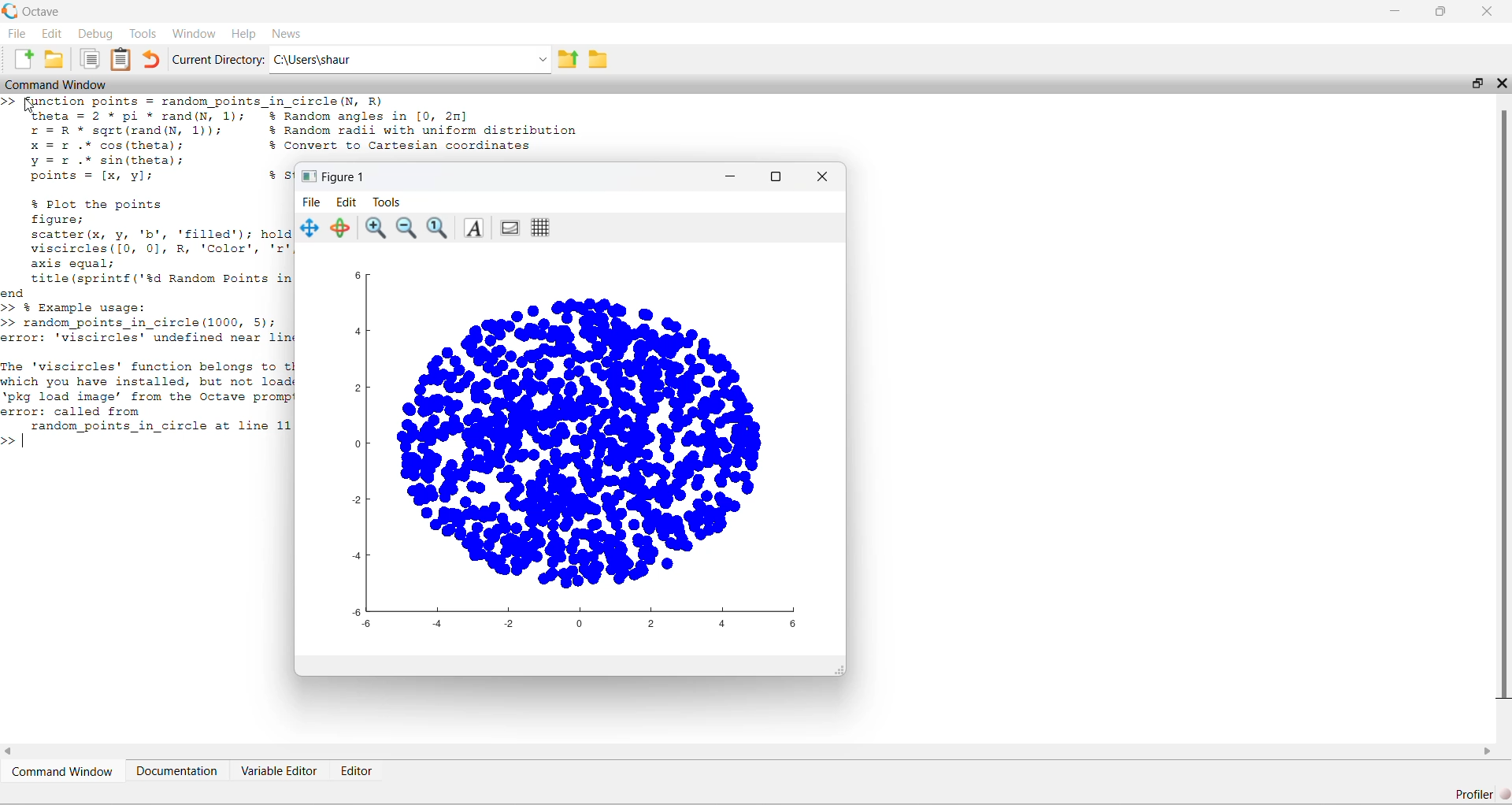  What do you see at coordinates (1501, 83) in the screenshot?
I see `close` at bounding box center [1501, 83].